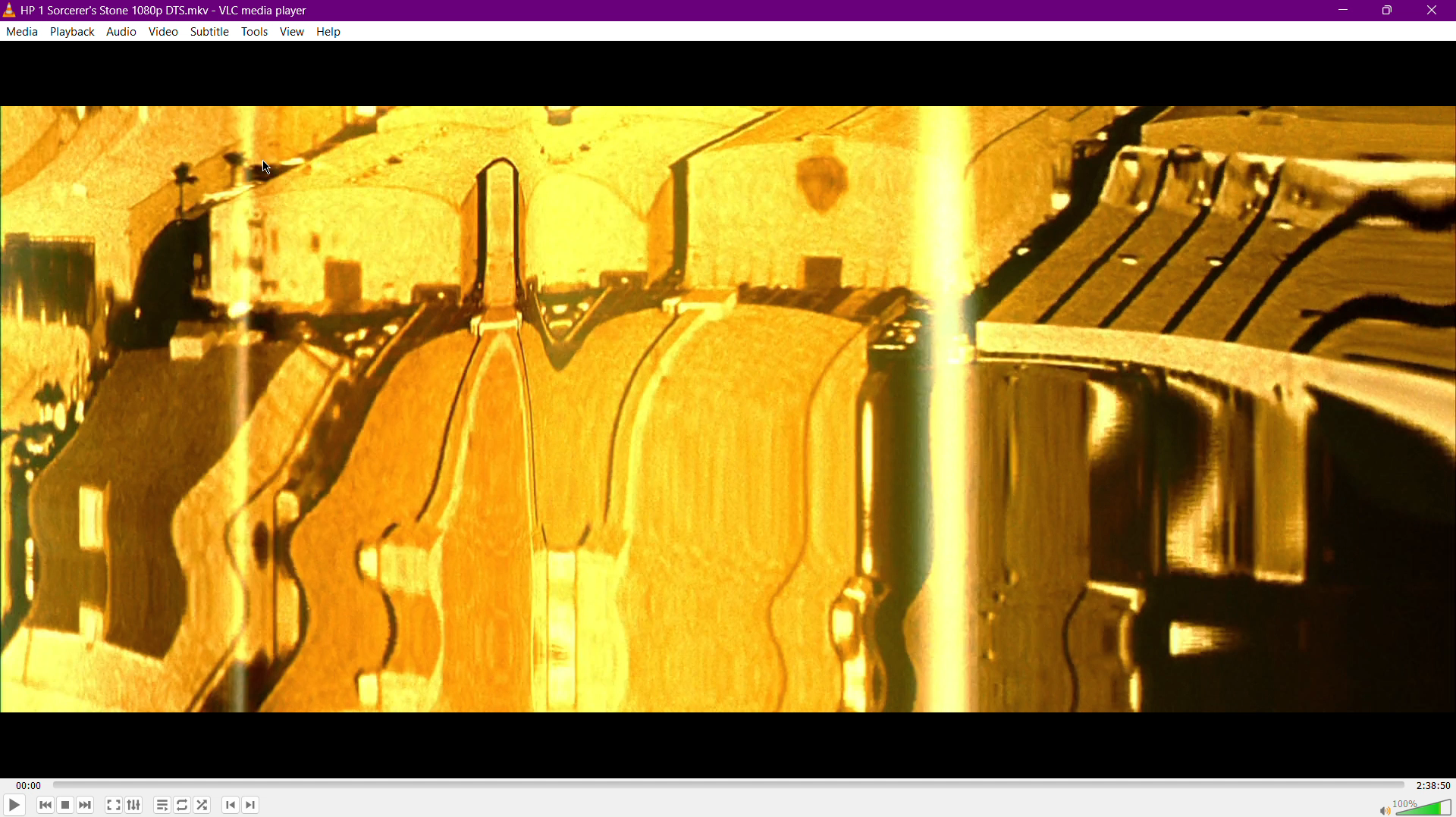 The height and width of the screenshot is (817, 1456). I want to click on Play, so click(14, 806).